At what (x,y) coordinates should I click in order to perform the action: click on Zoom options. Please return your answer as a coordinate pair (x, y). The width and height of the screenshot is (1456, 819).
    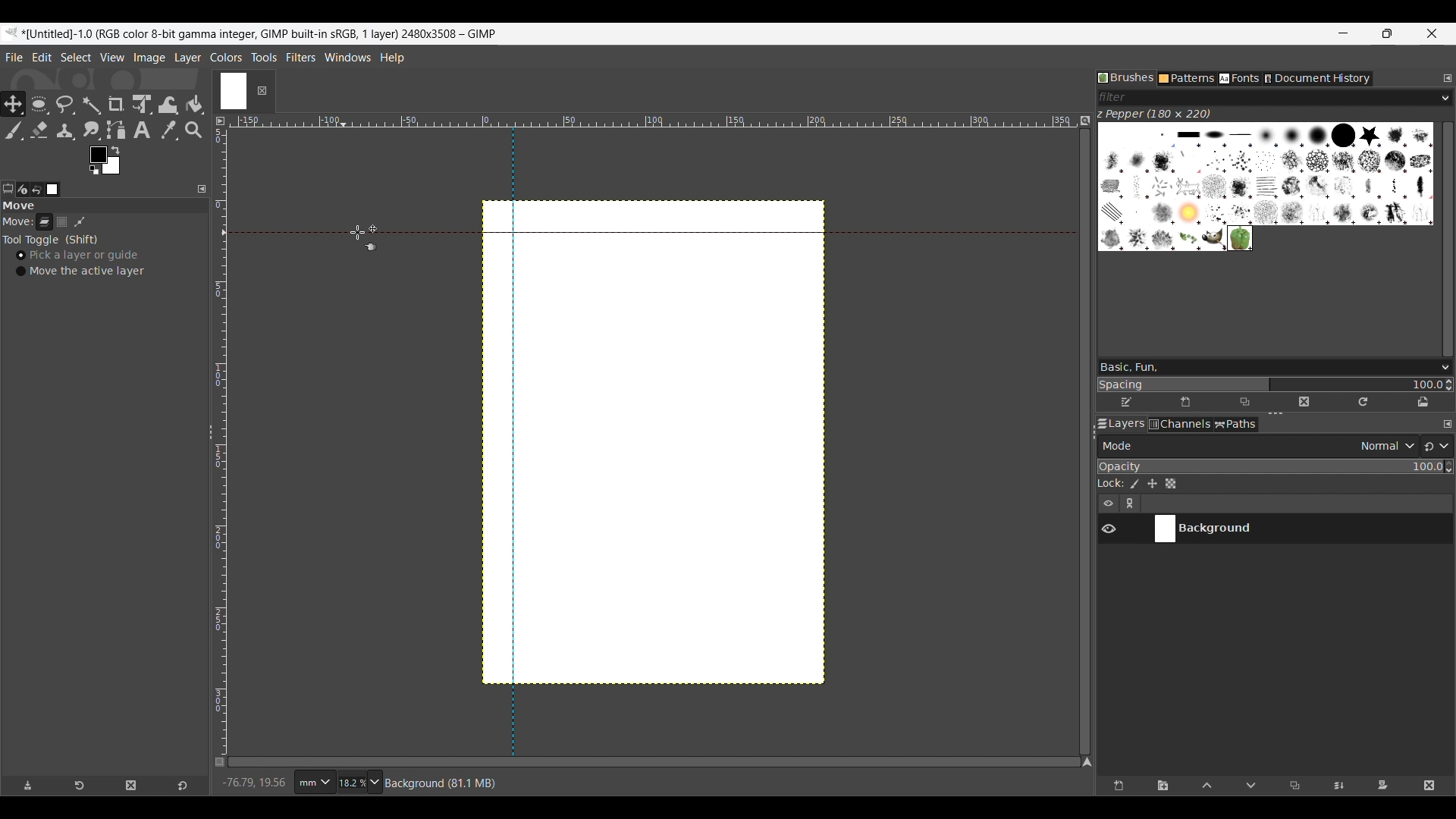
    Looking at the image, I should click on (376, 783).